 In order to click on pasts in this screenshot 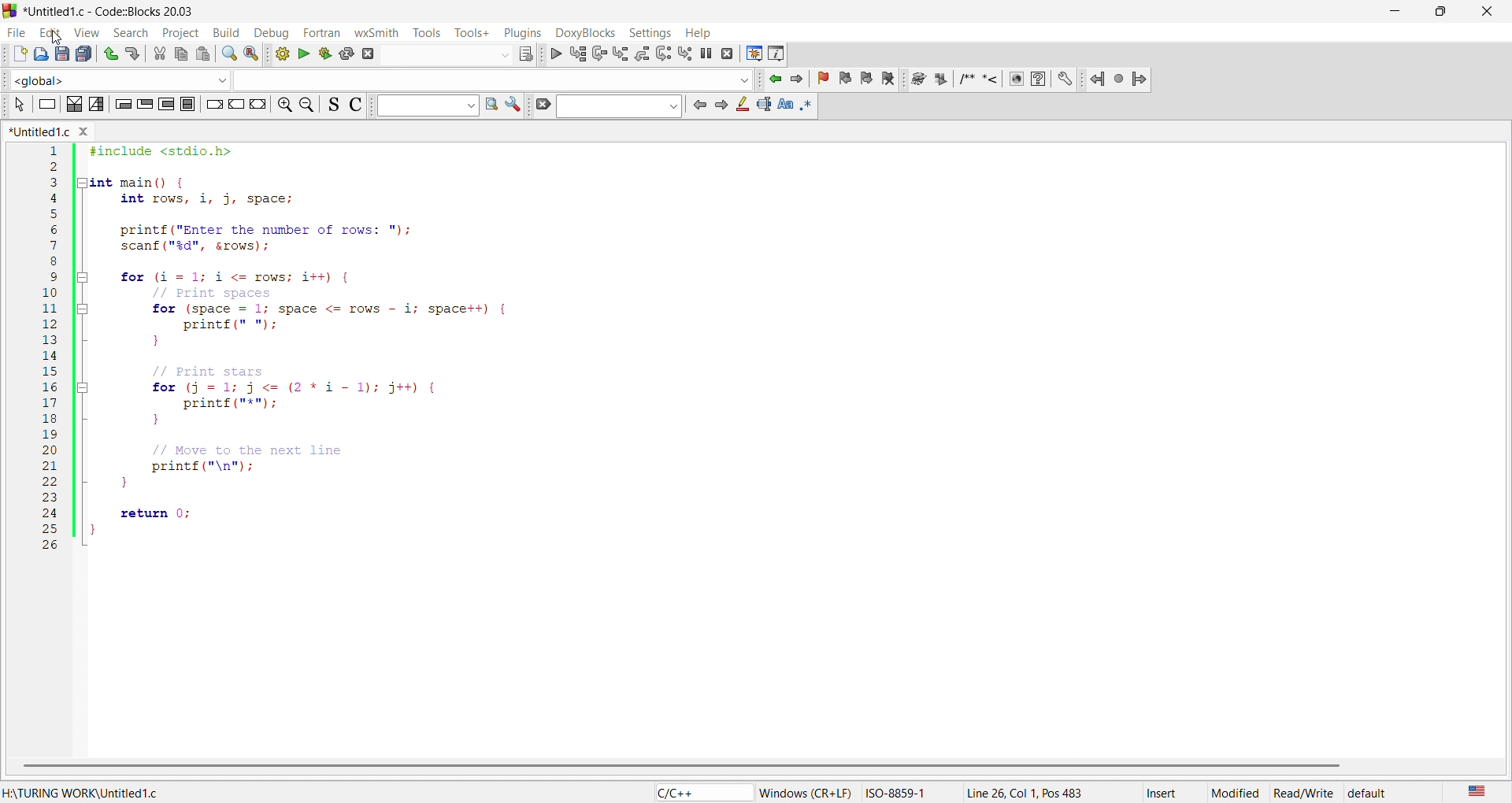, I will do `click(202, 54)`.